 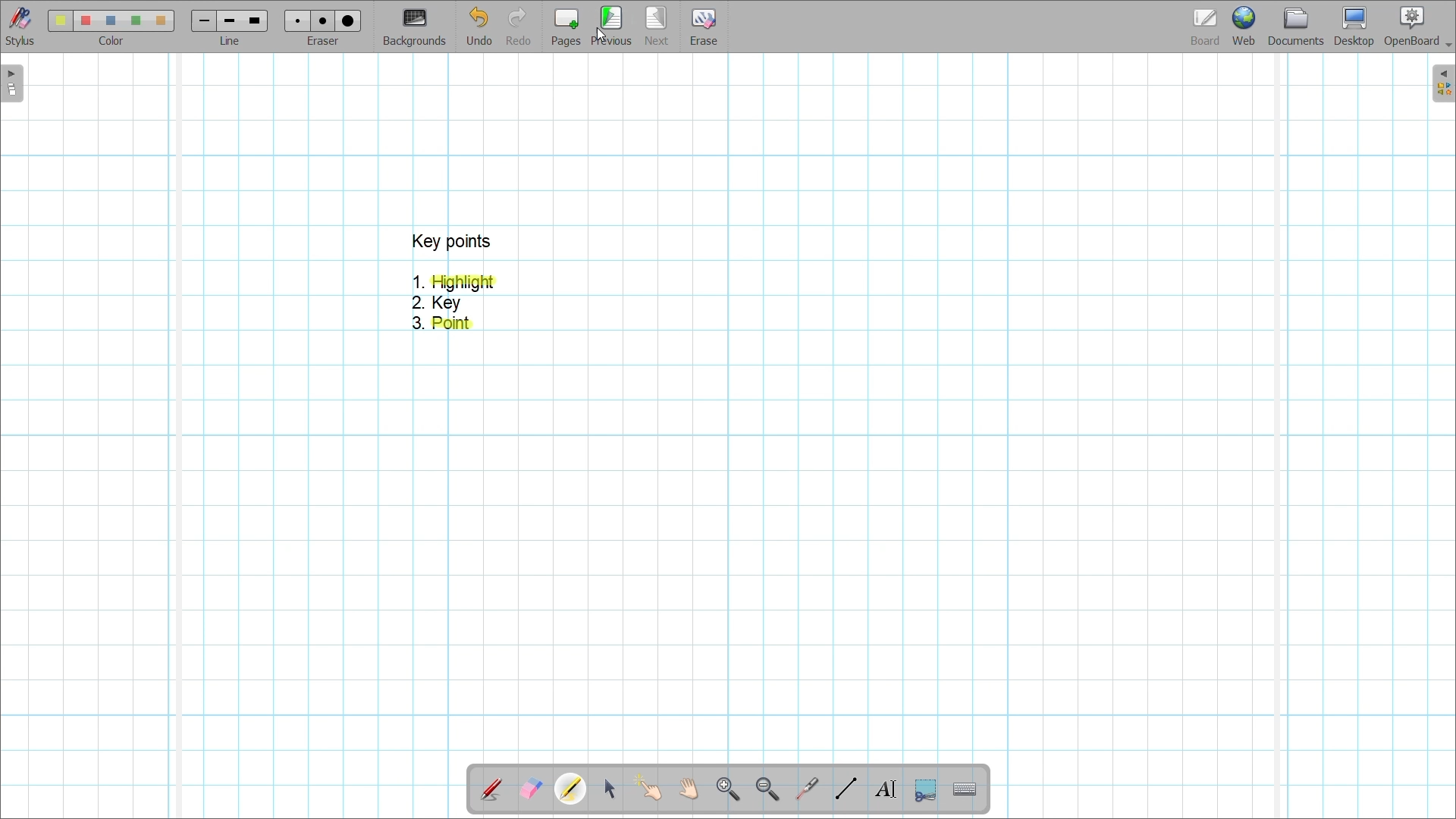 What do you see at coordinates (570, 789) in the screenshot?
I see `Highlighter` at bounding box center [570, 789].